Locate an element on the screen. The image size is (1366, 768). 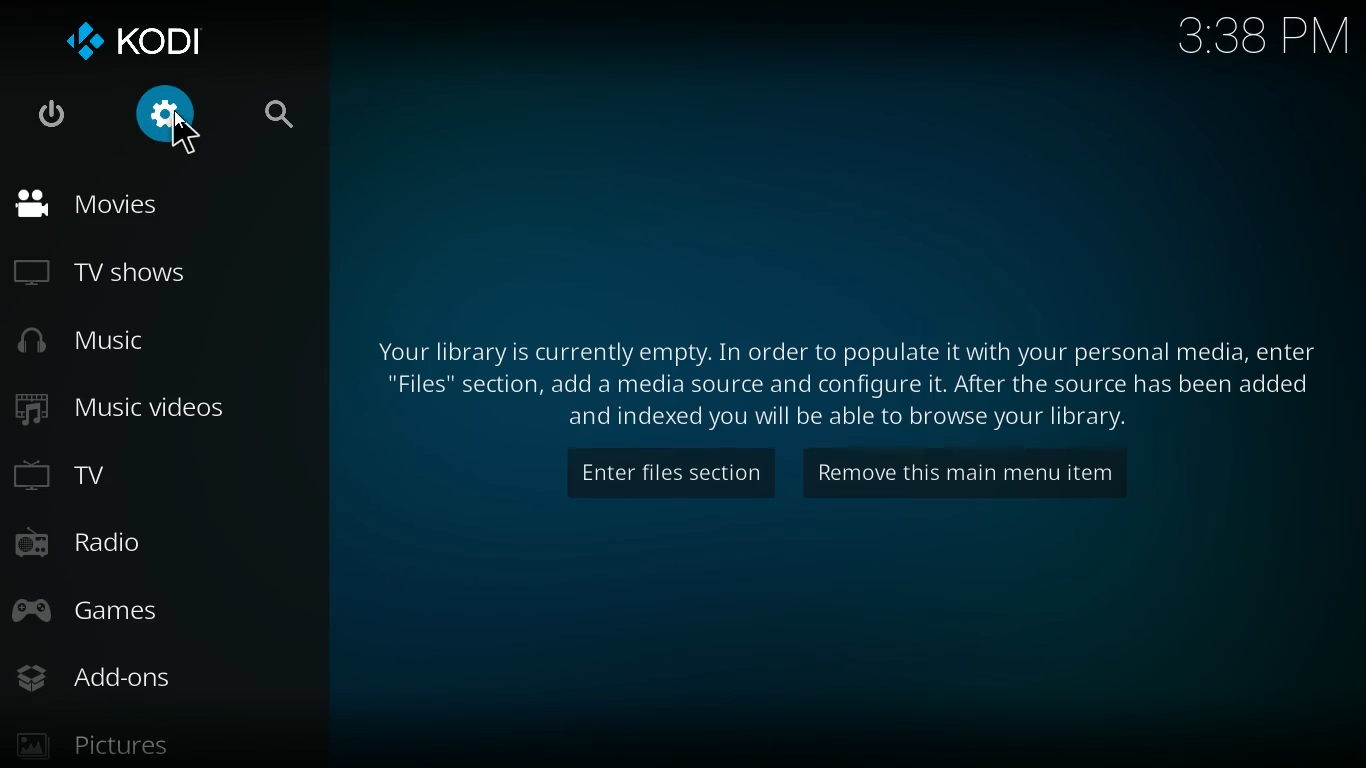
tv is located at coordinates (153, 475).